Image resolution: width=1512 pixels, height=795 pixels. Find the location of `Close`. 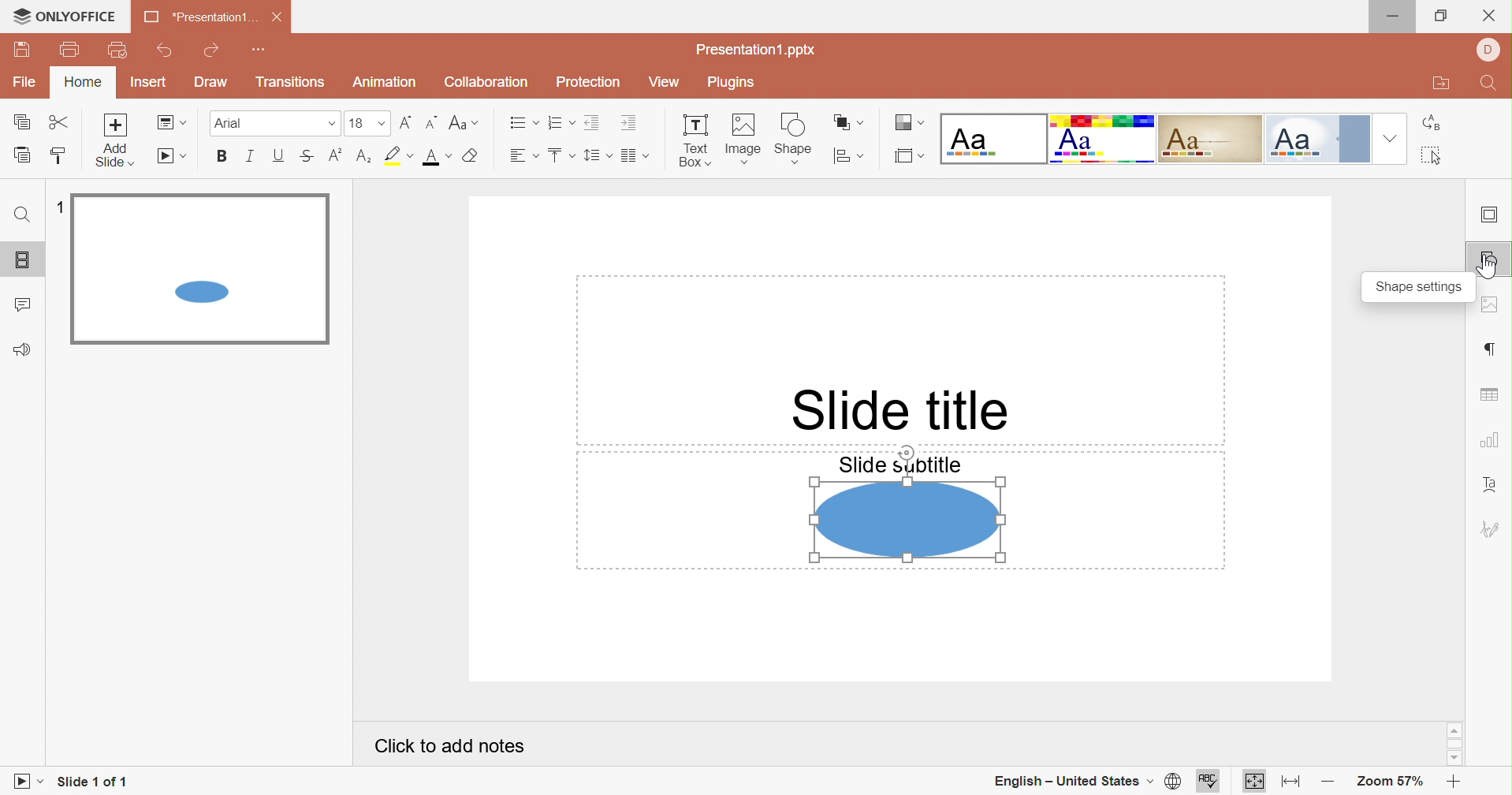

Close is located at coordinates (1489, 16).